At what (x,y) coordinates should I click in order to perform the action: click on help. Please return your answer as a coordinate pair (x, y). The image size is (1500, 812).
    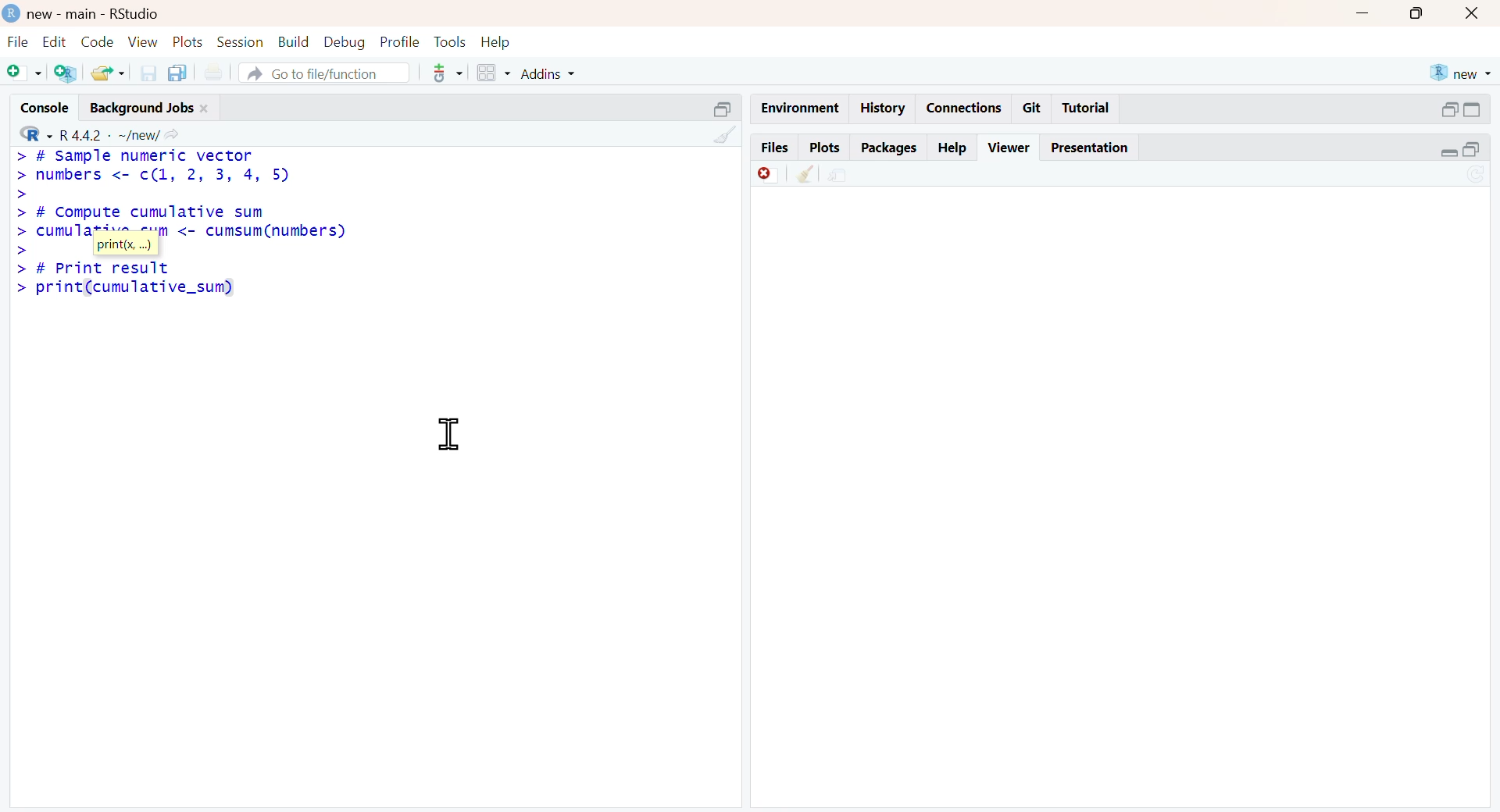
    Looking at the image, I should click on (496, 41).